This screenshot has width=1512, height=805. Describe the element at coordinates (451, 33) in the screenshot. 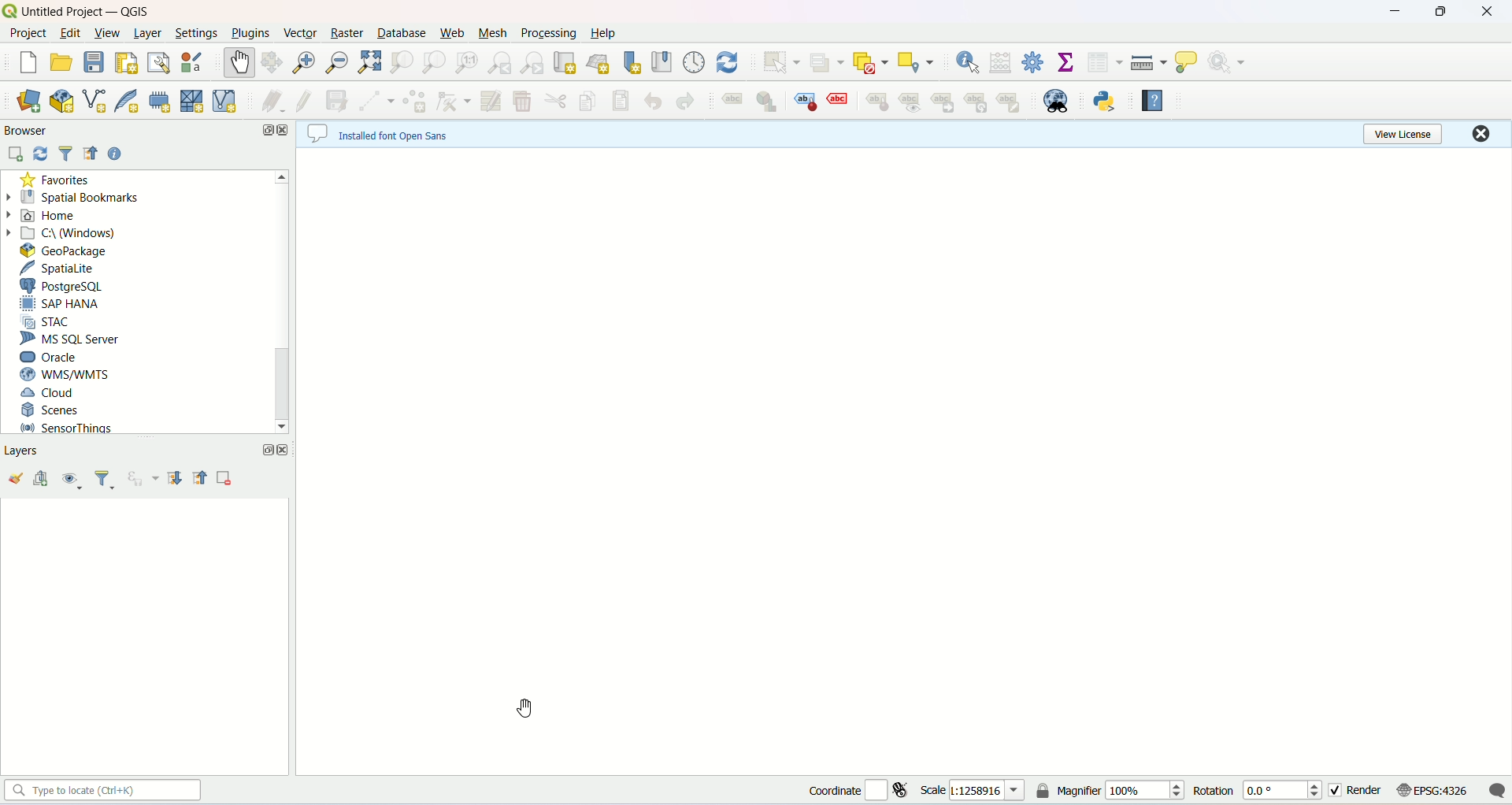

I see `web` at that location.